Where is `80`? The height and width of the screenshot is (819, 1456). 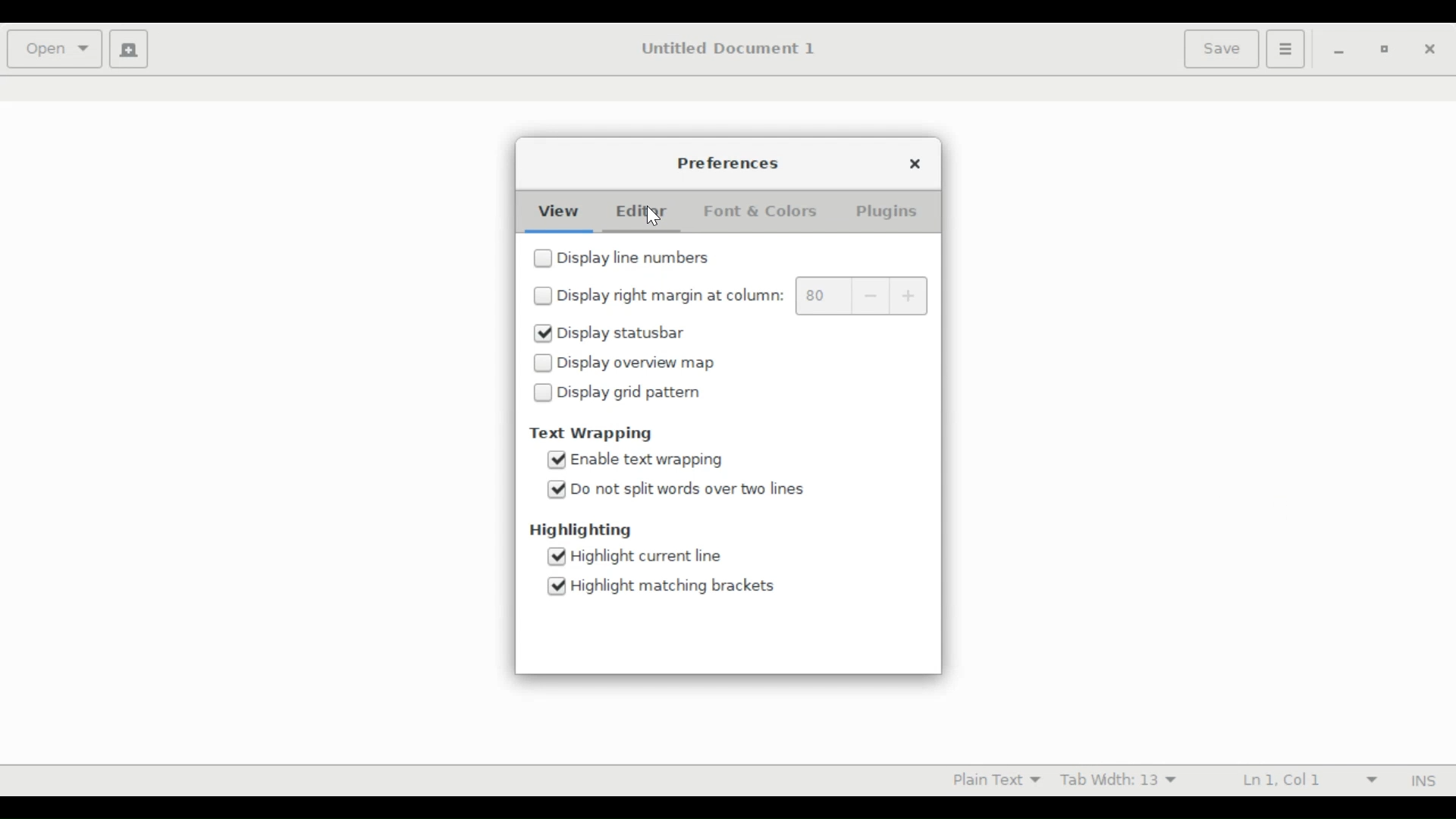 80 is located at coordinates (813, 297).